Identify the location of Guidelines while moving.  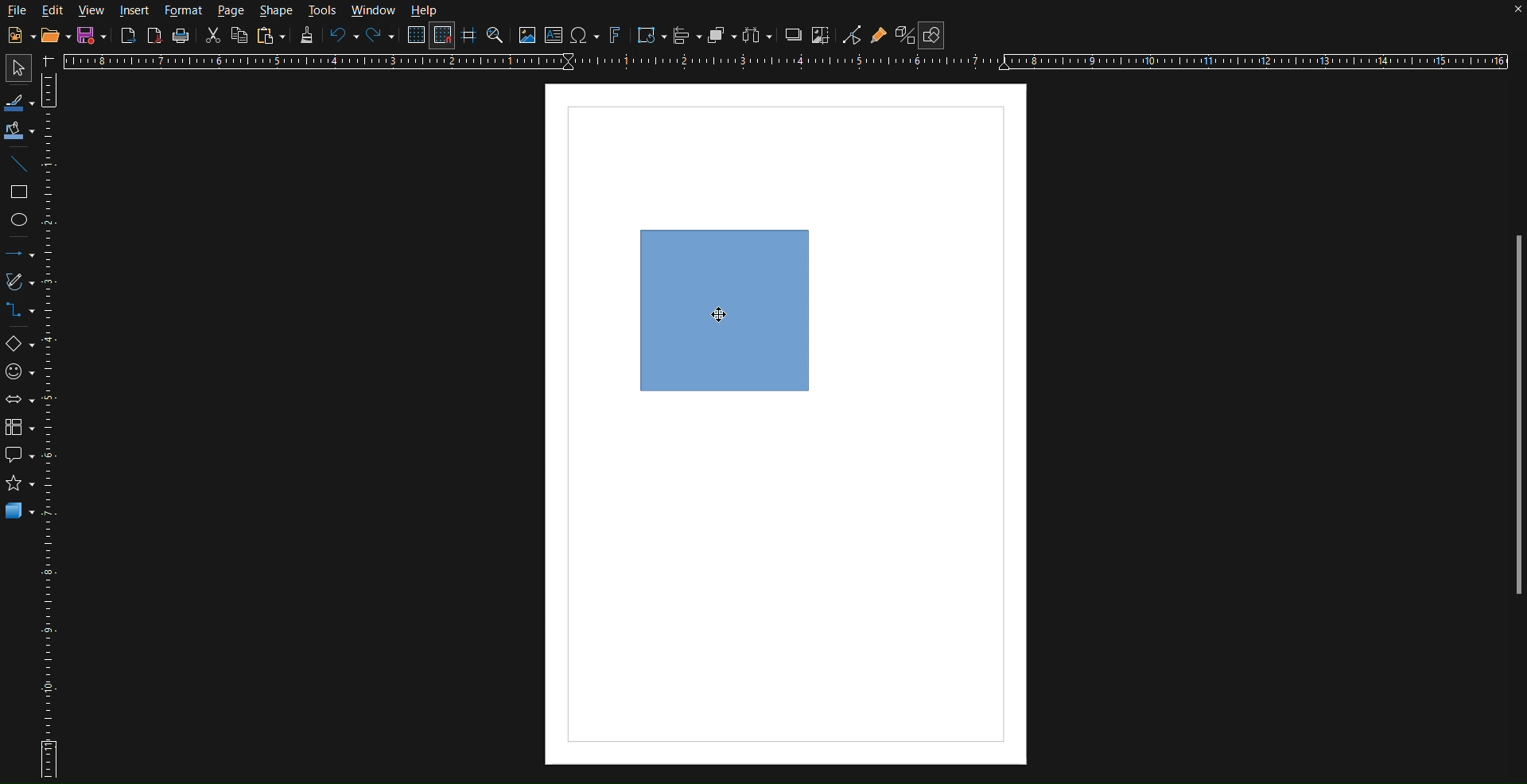
(470, 37).